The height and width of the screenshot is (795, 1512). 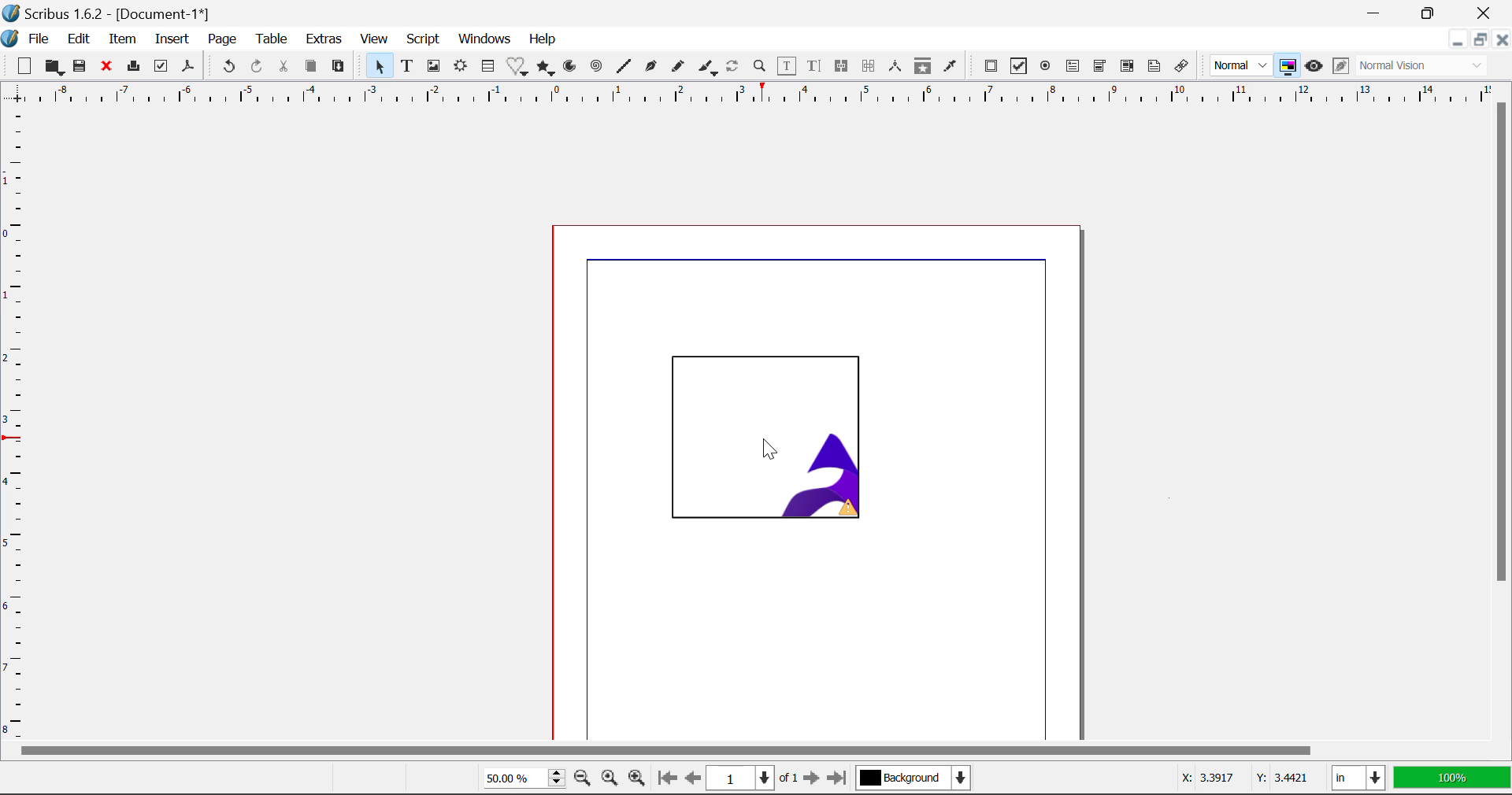 What do you see at coordinates (133, 66) in the screenshot?
I see `Print` at bounding box center [133, 66].